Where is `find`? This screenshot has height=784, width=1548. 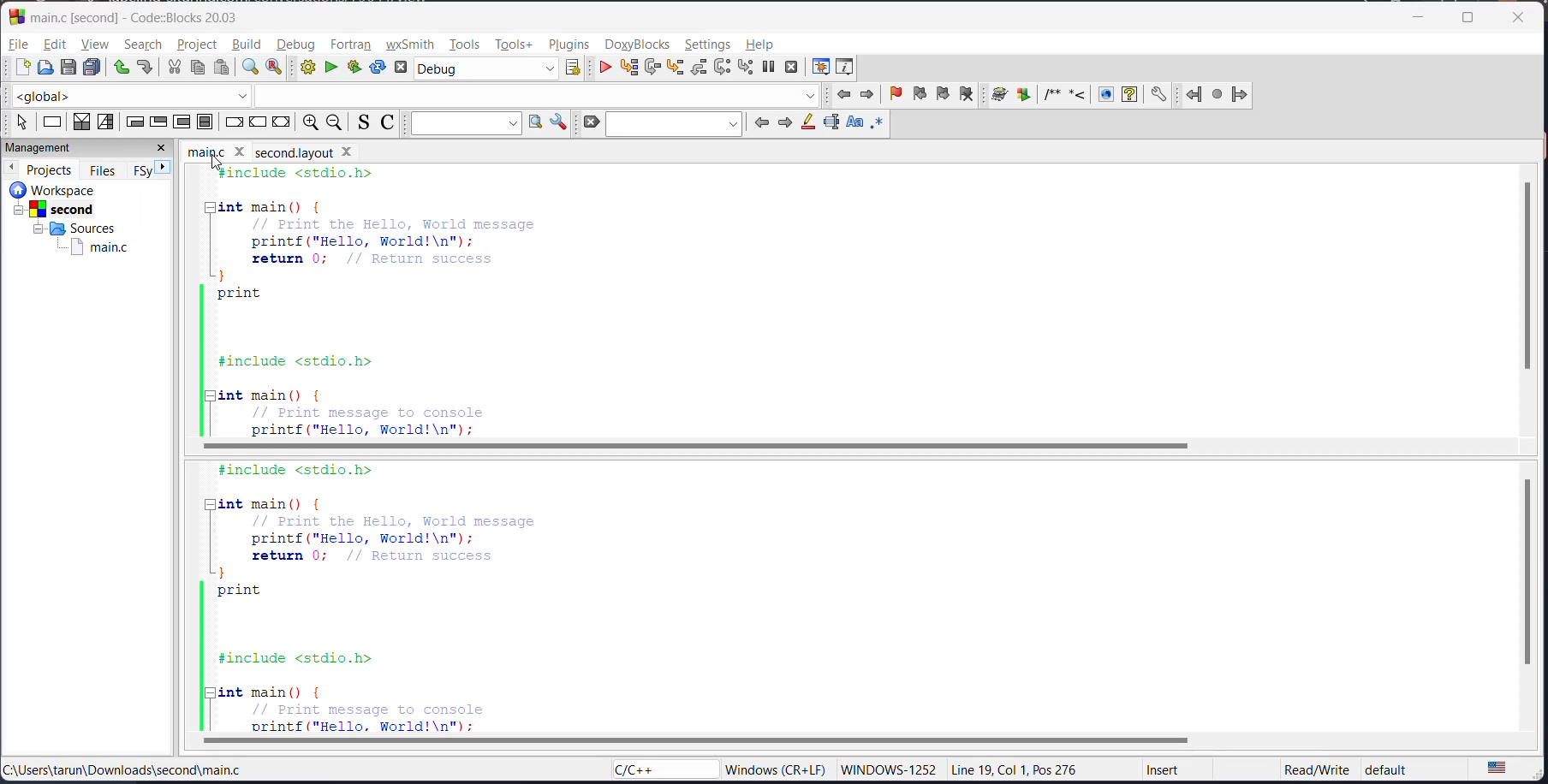 find is located at coordinates (247, 68).